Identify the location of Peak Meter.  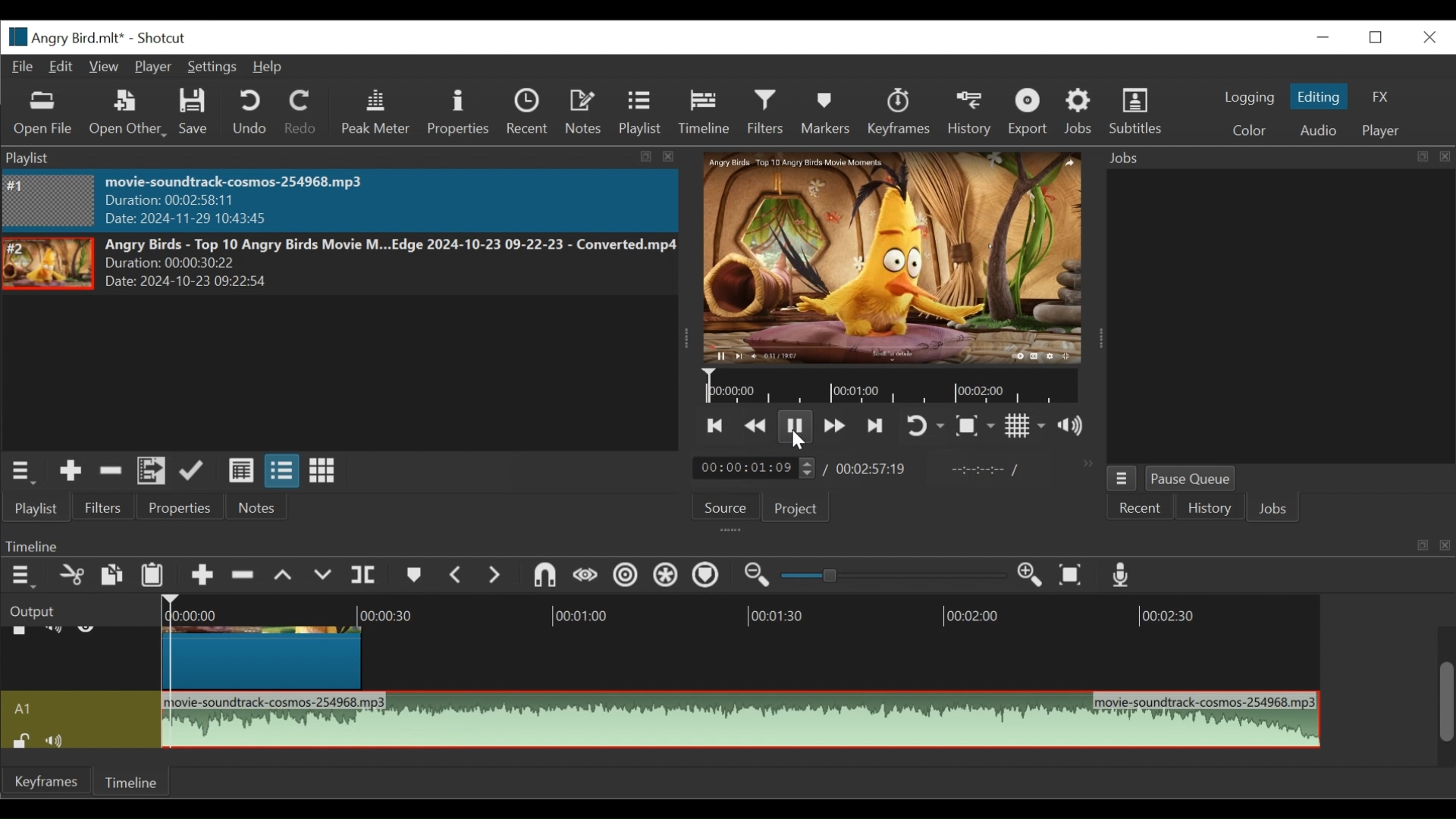
(375, 114).